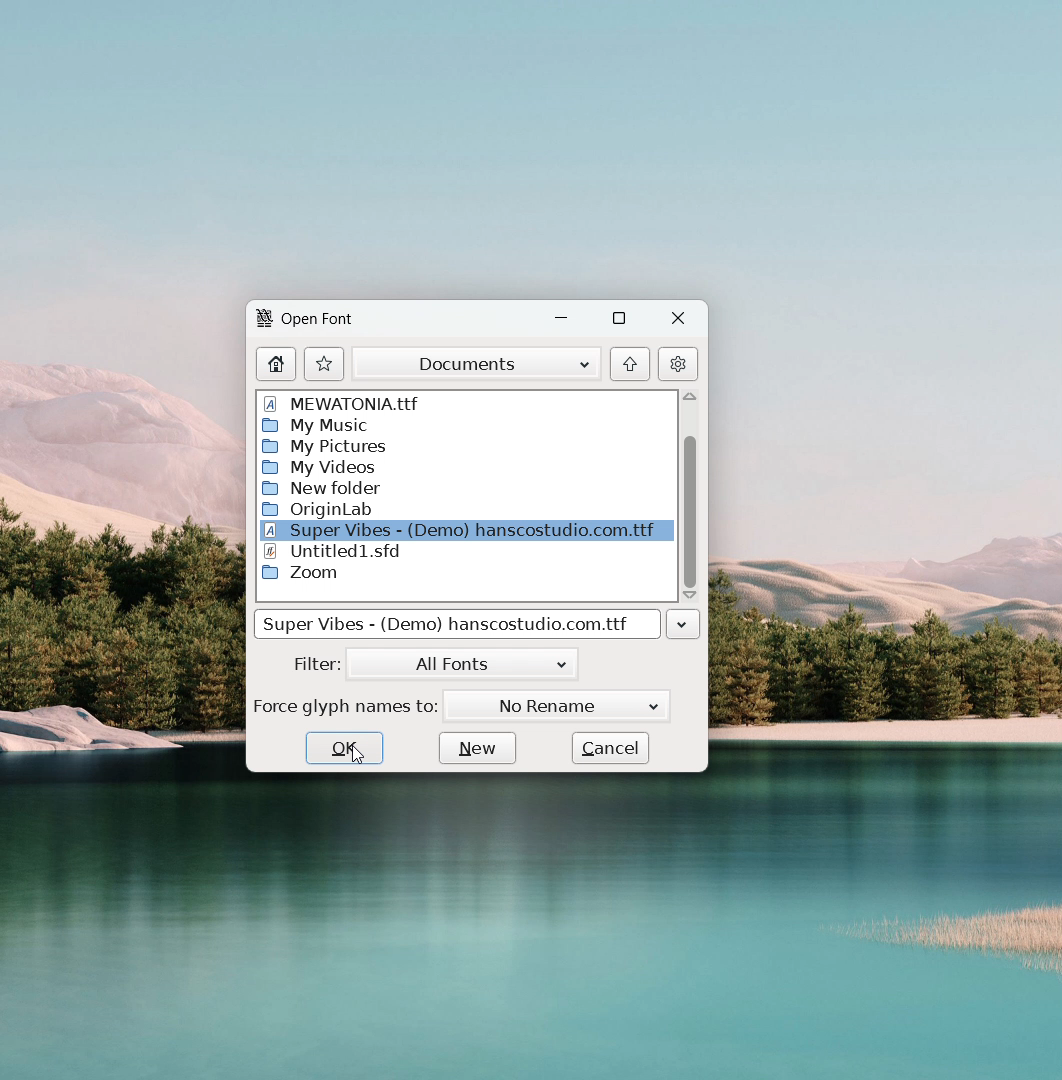 This screenshot has width=1062, height=1080. I want to click on Super Vibes - (Demo) hanscostudio.com.ttf, so click(457, 623).